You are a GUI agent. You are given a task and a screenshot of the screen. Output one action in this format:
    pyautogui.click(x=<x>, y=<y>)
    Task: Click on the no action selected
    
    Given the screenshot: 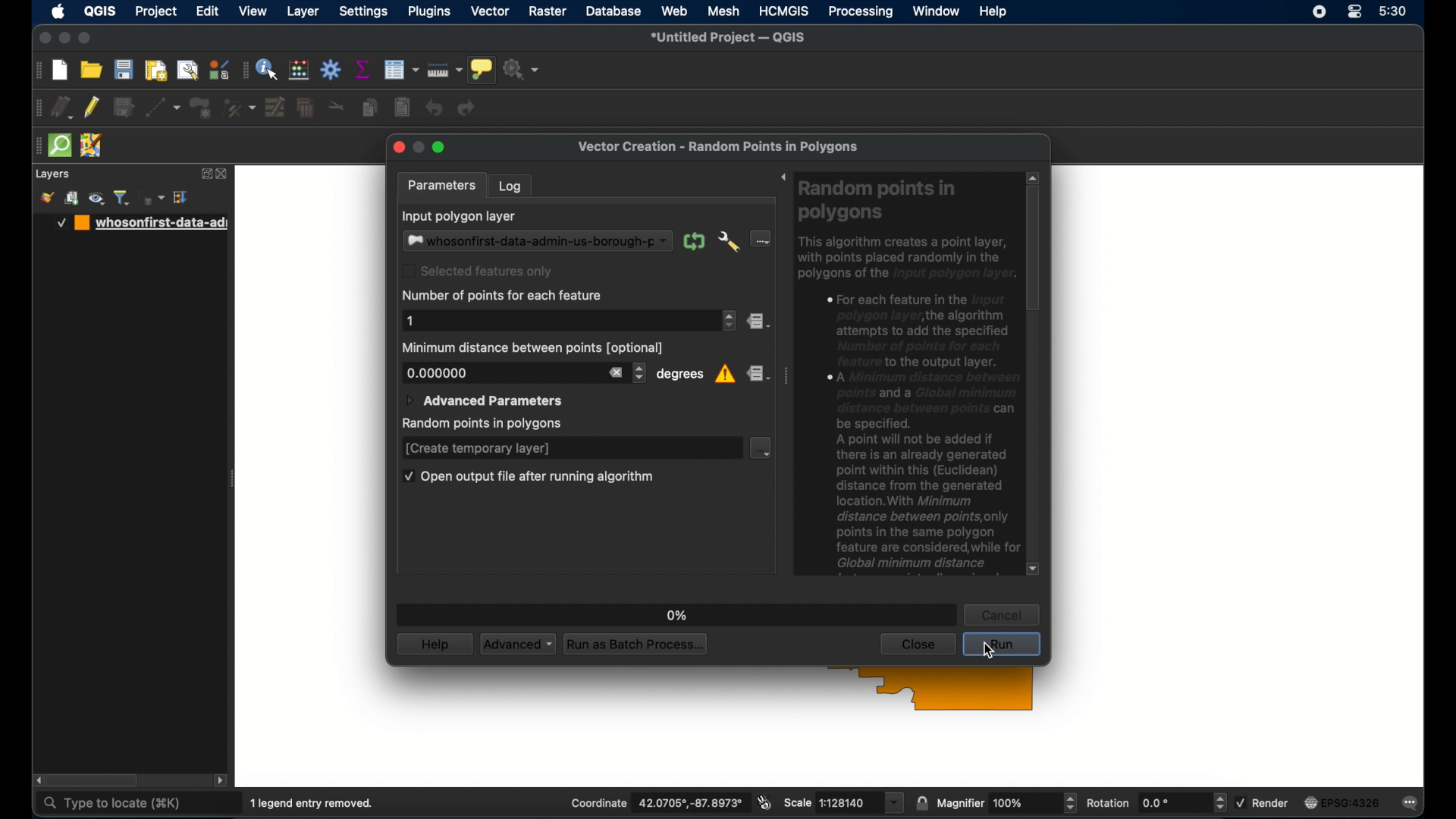 What is the action you would take?
    pyautogui.click(x=521, y=69)
    